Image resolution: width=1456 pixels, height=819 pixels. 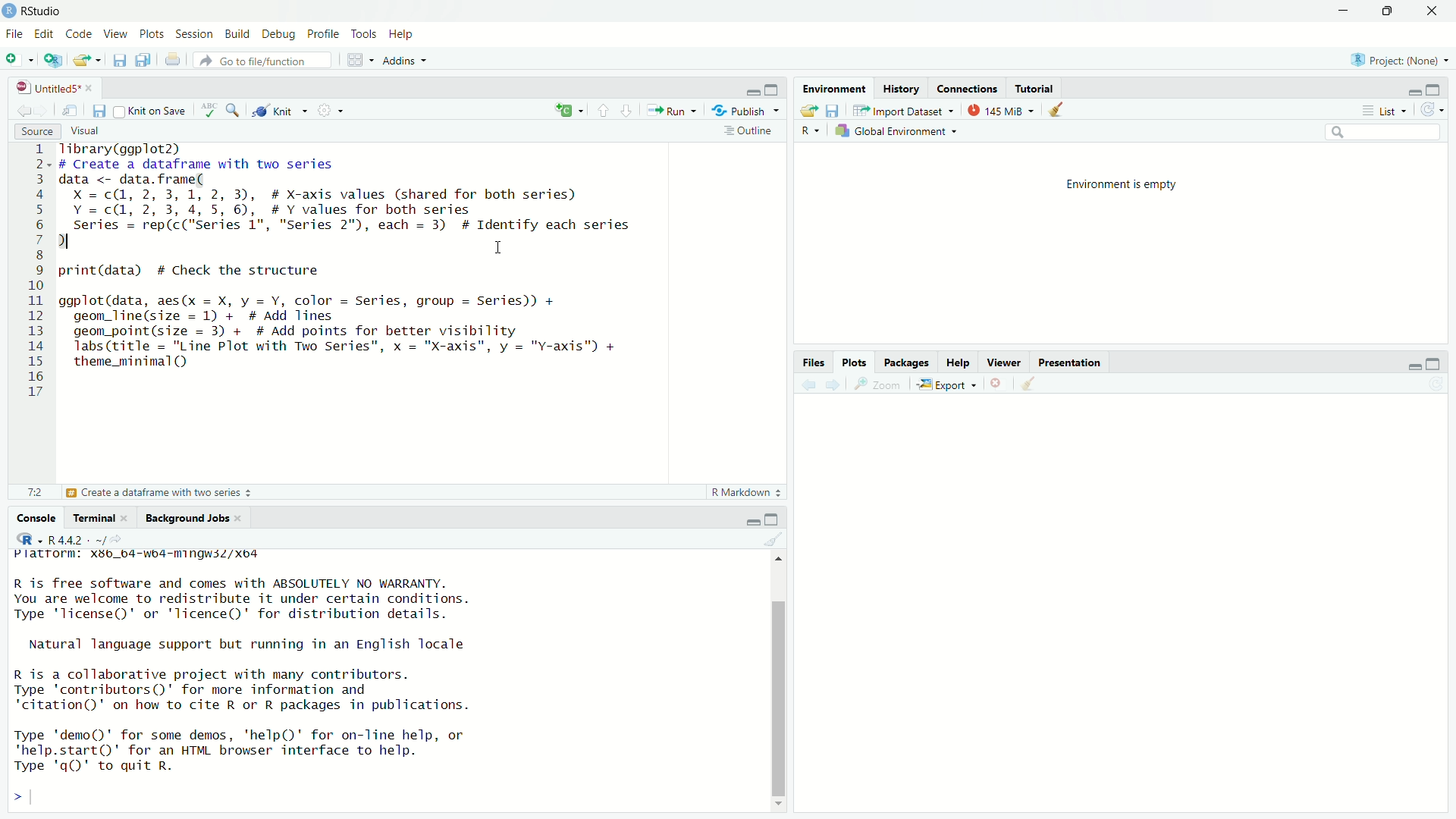 What do you see at coordinates (53, 86) in the screenshot?
I see `Untitled` at bounding box center [53, 86].